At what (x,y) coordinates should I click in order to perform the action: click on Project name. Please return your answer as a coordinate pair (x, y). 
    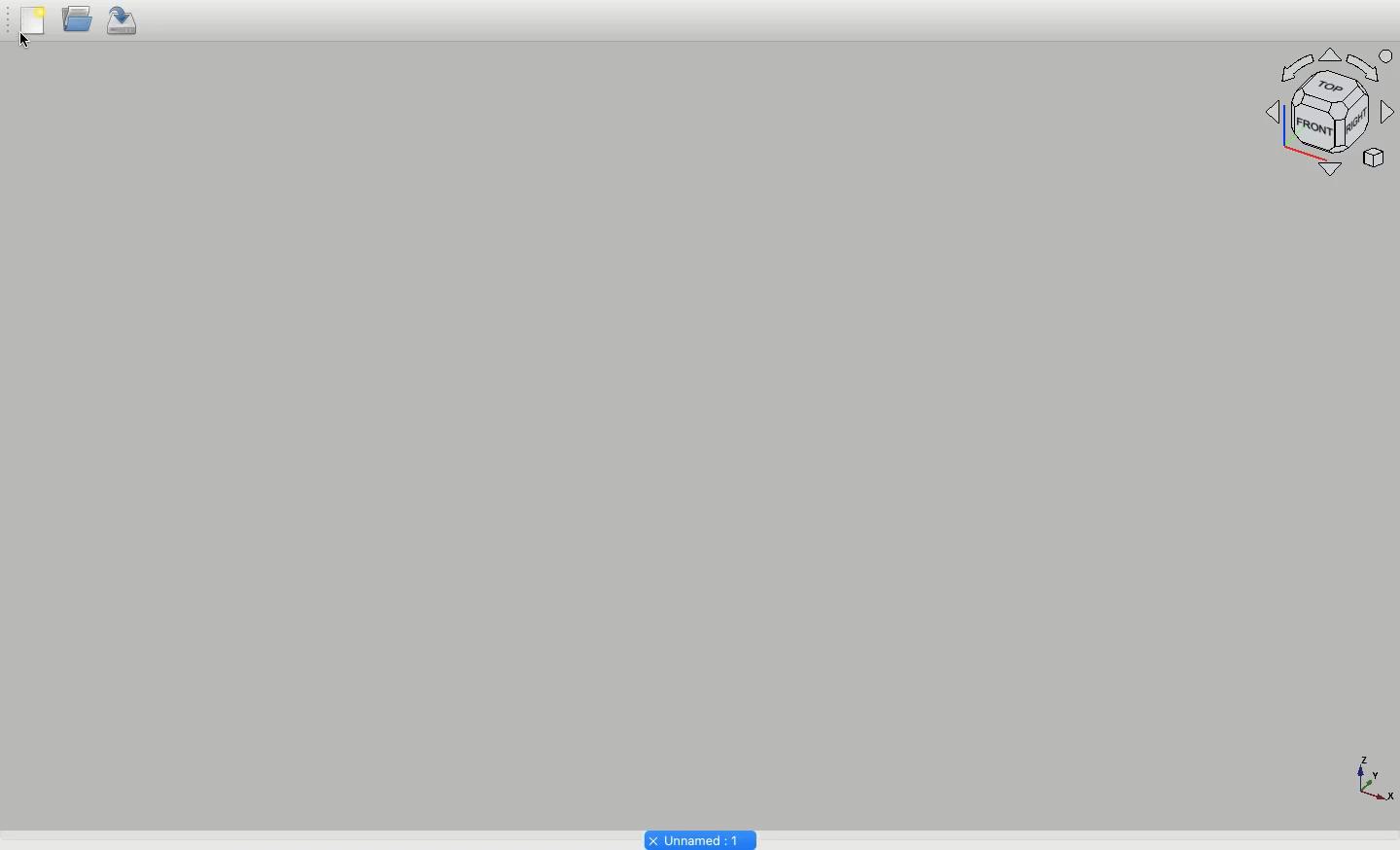
    Looking at the image, I should click on (699, 838).